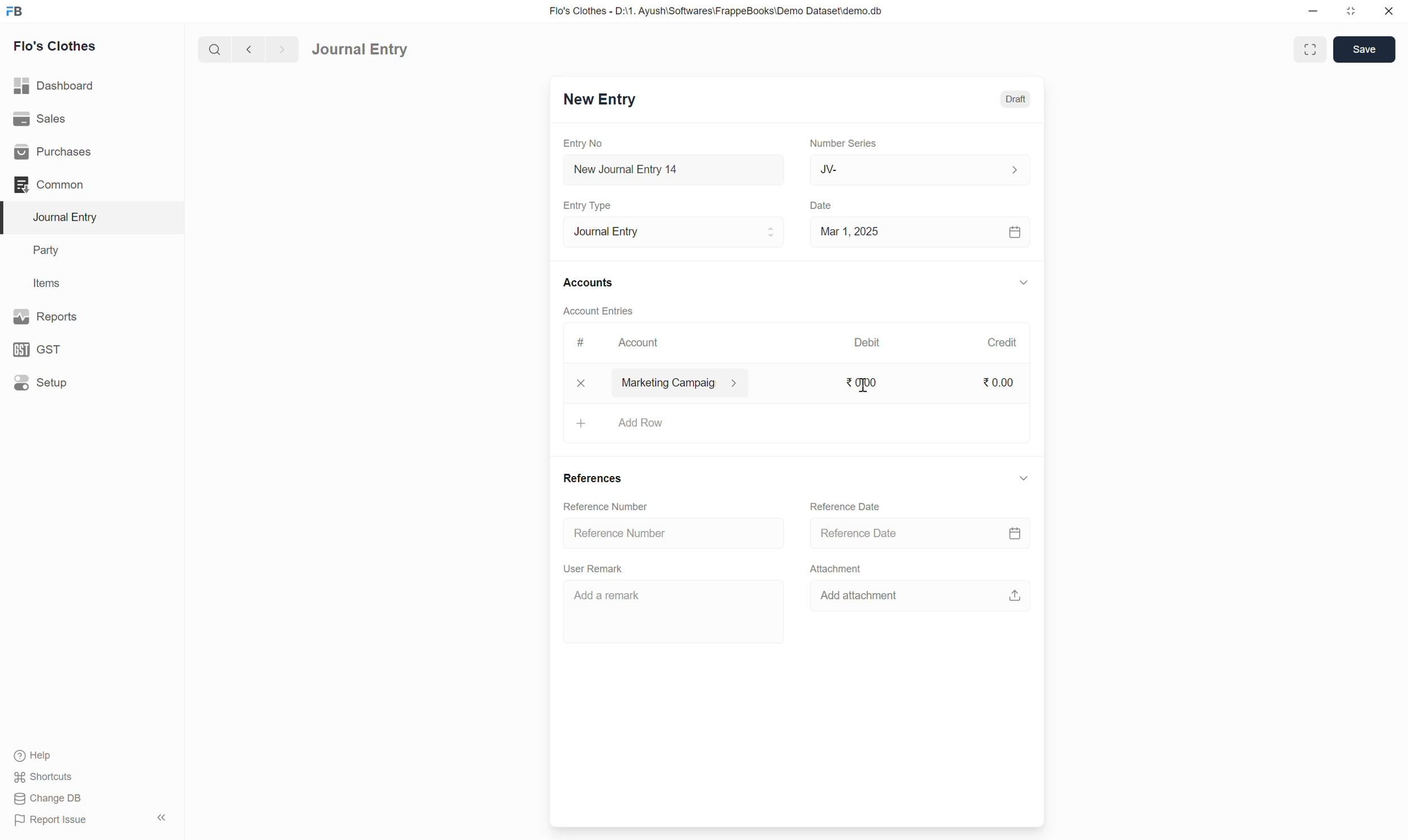 The width and height of the screenshot is (1408, 840). What do you see at coordinates (46, 282) in the screenshot?
I see `Items` at bounding box center [46, 282].